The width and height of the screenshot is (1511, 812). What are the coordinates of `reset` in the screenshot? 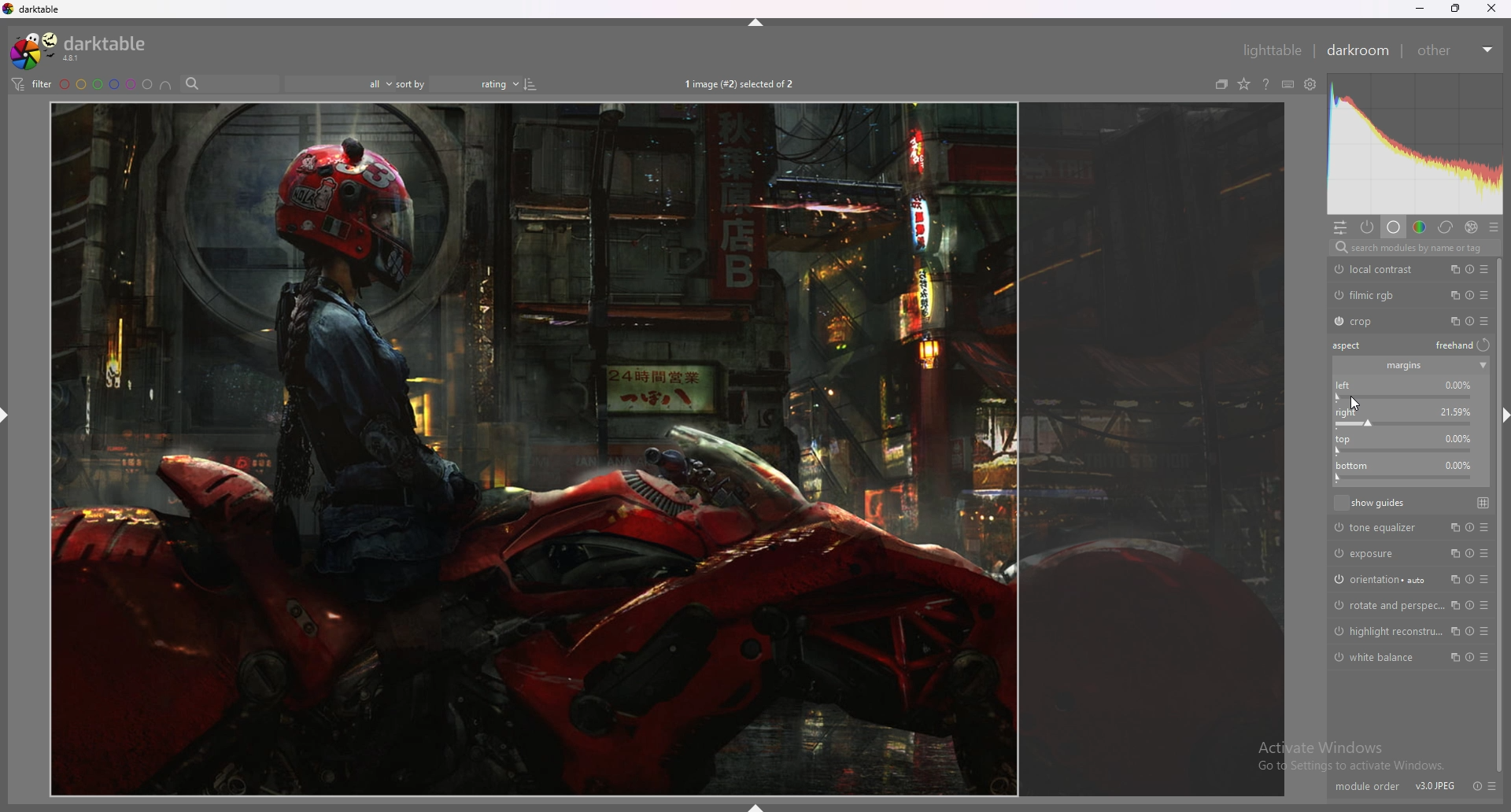 It's located at (1468, 631).